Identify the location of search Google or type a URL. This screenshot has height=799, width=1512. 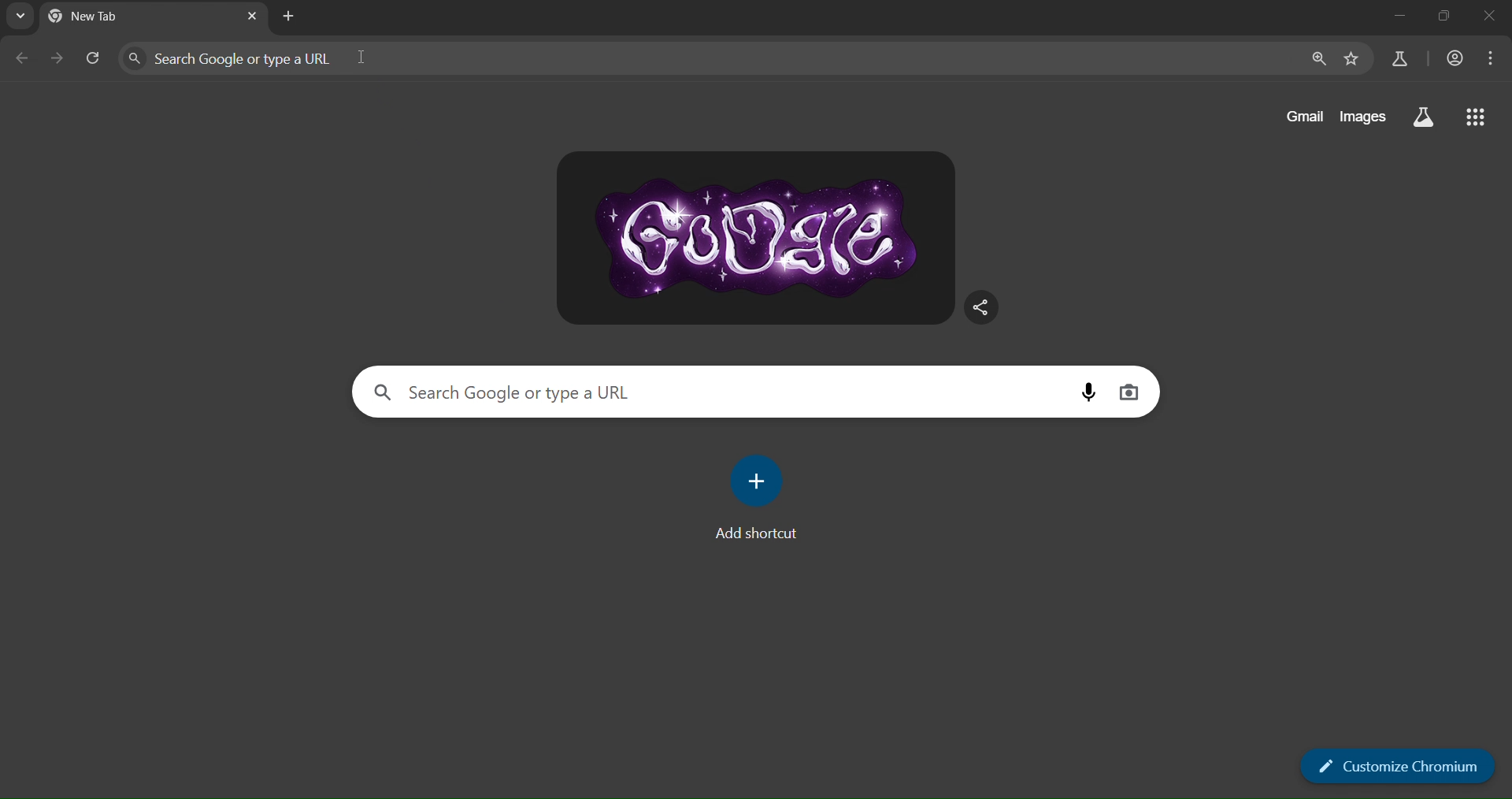
(337, 57).